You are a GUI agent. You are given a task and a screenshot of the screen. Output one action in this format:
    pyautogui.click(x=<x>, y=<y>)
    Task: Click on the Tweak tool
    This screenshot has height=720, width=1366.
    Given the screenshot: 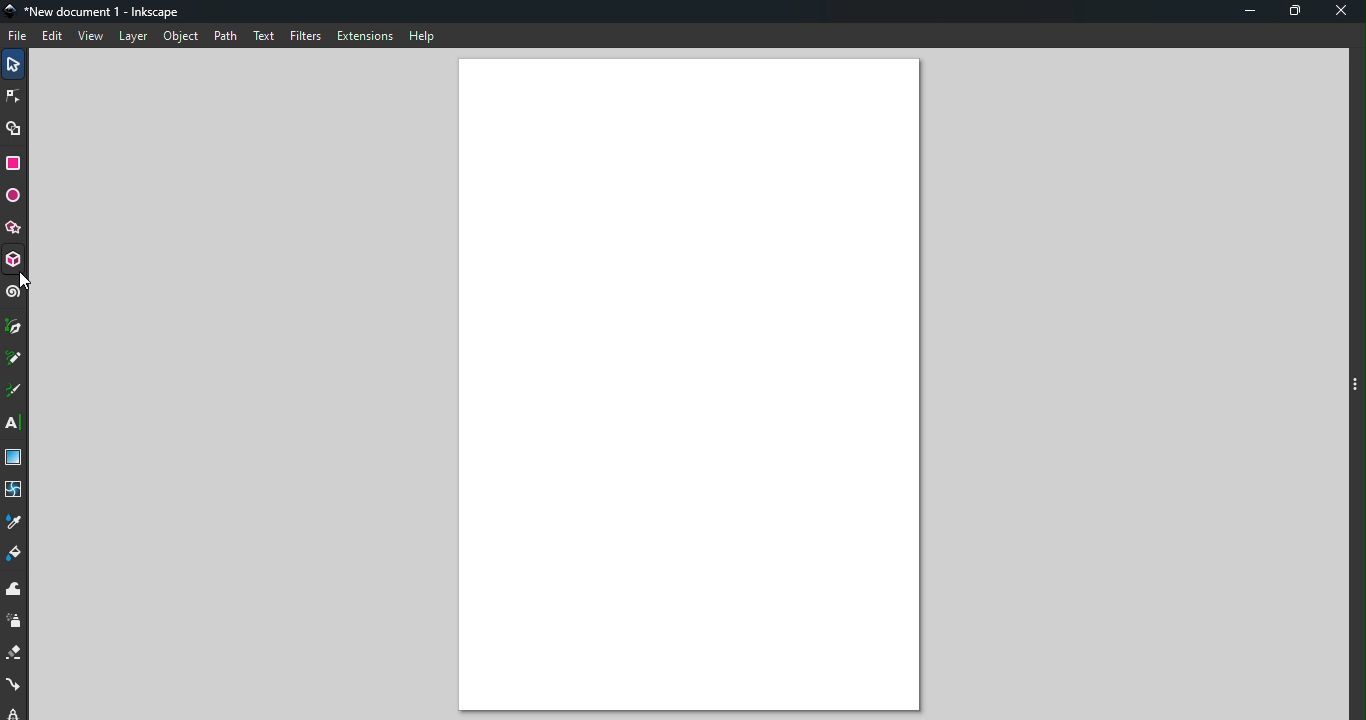 What is the action you would take?
    pyautogui.click(x=17, y=591)
    